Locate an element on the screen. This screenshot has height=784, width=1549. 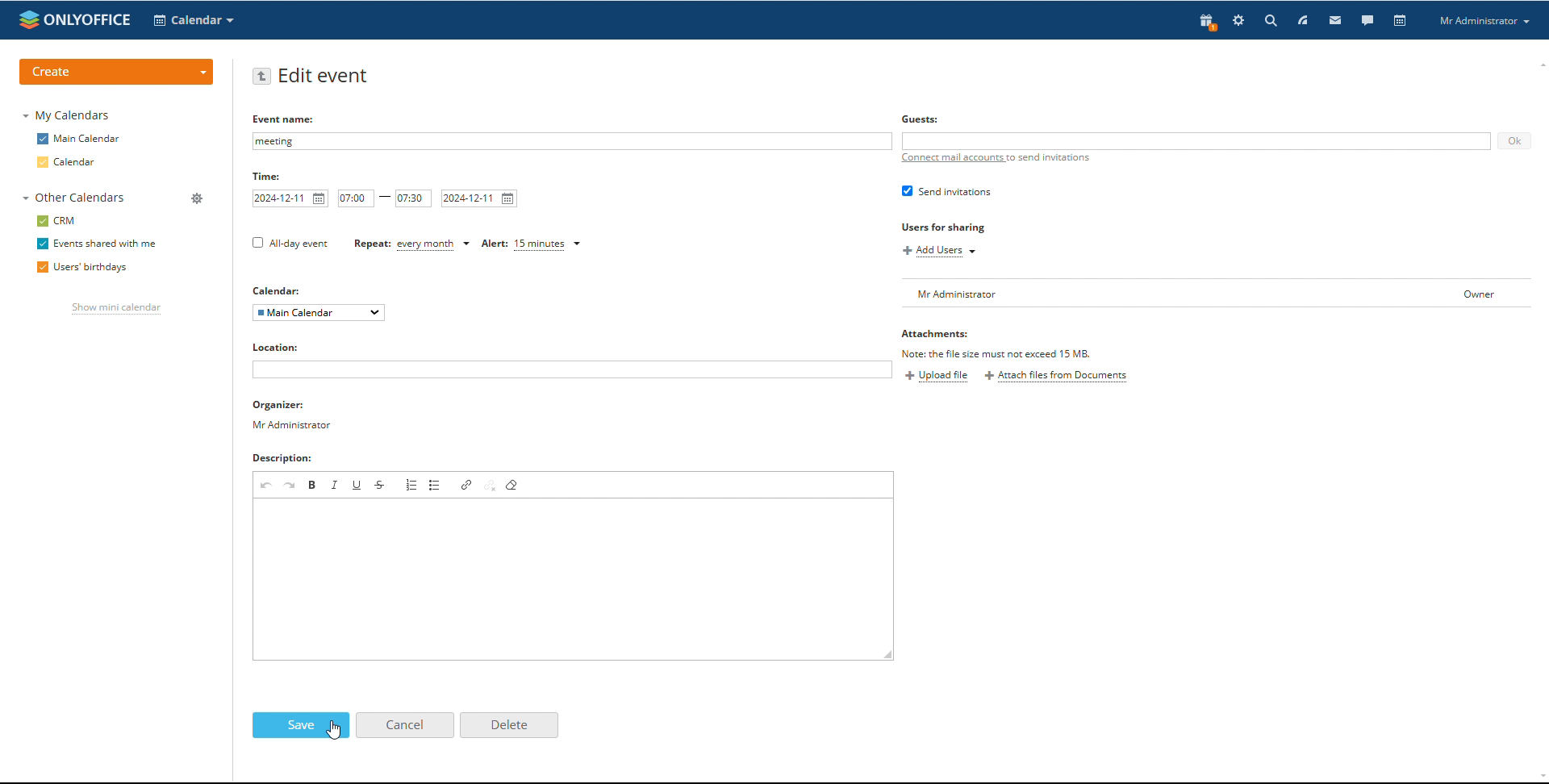
add event name is located at coordinates (571, 141).